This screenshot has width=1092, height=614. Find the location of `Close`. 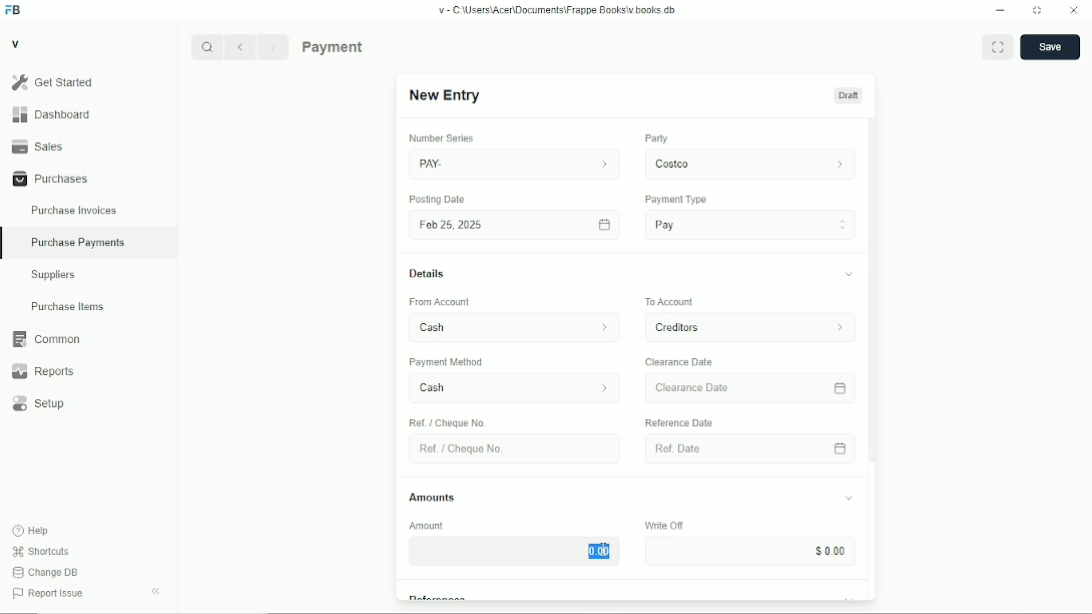

Close is located at coordinates (1074, 10).